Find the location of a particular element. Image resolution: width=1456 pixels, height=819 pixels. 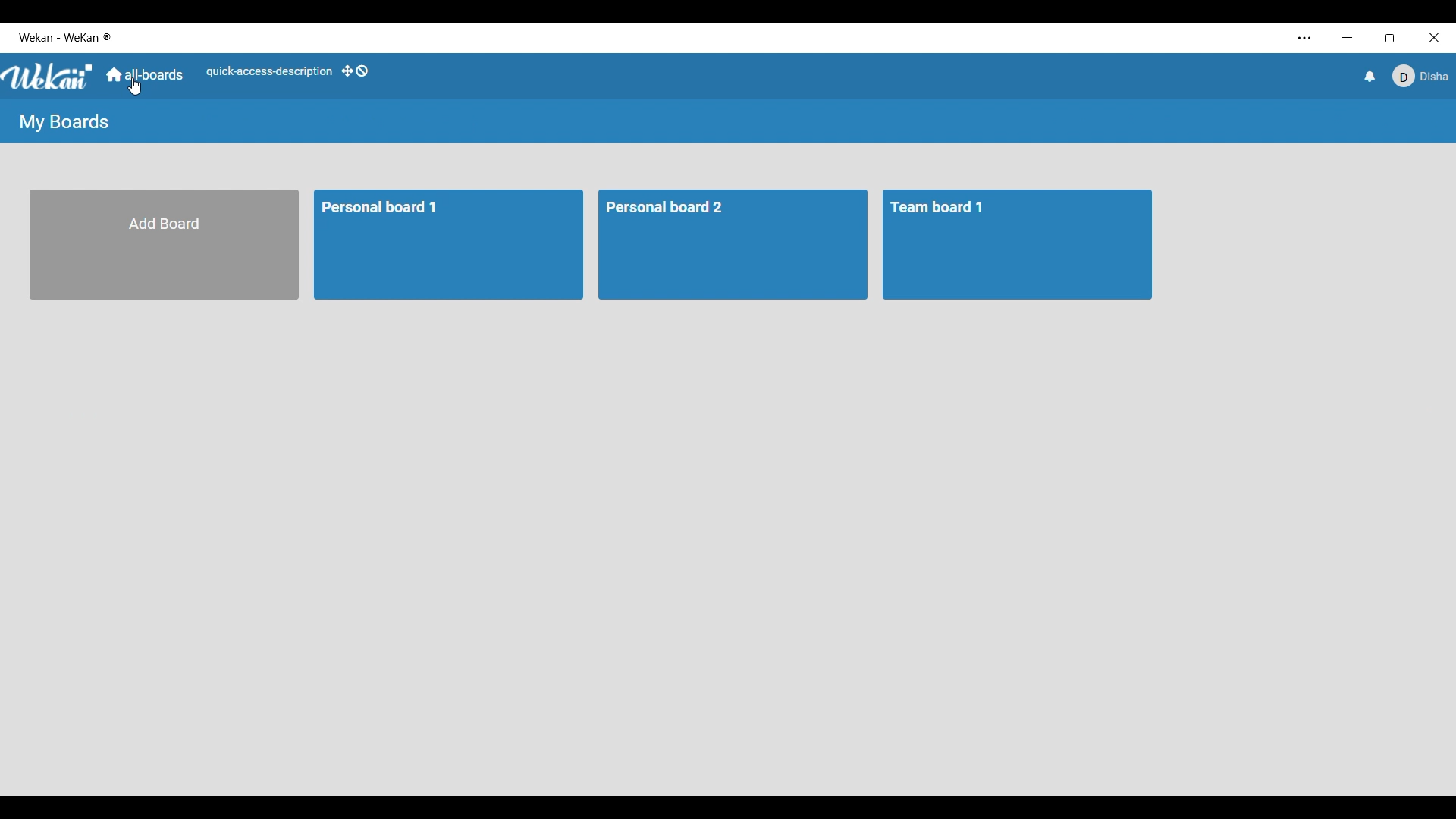

Main dashboard is located at coordinates (145, 74).